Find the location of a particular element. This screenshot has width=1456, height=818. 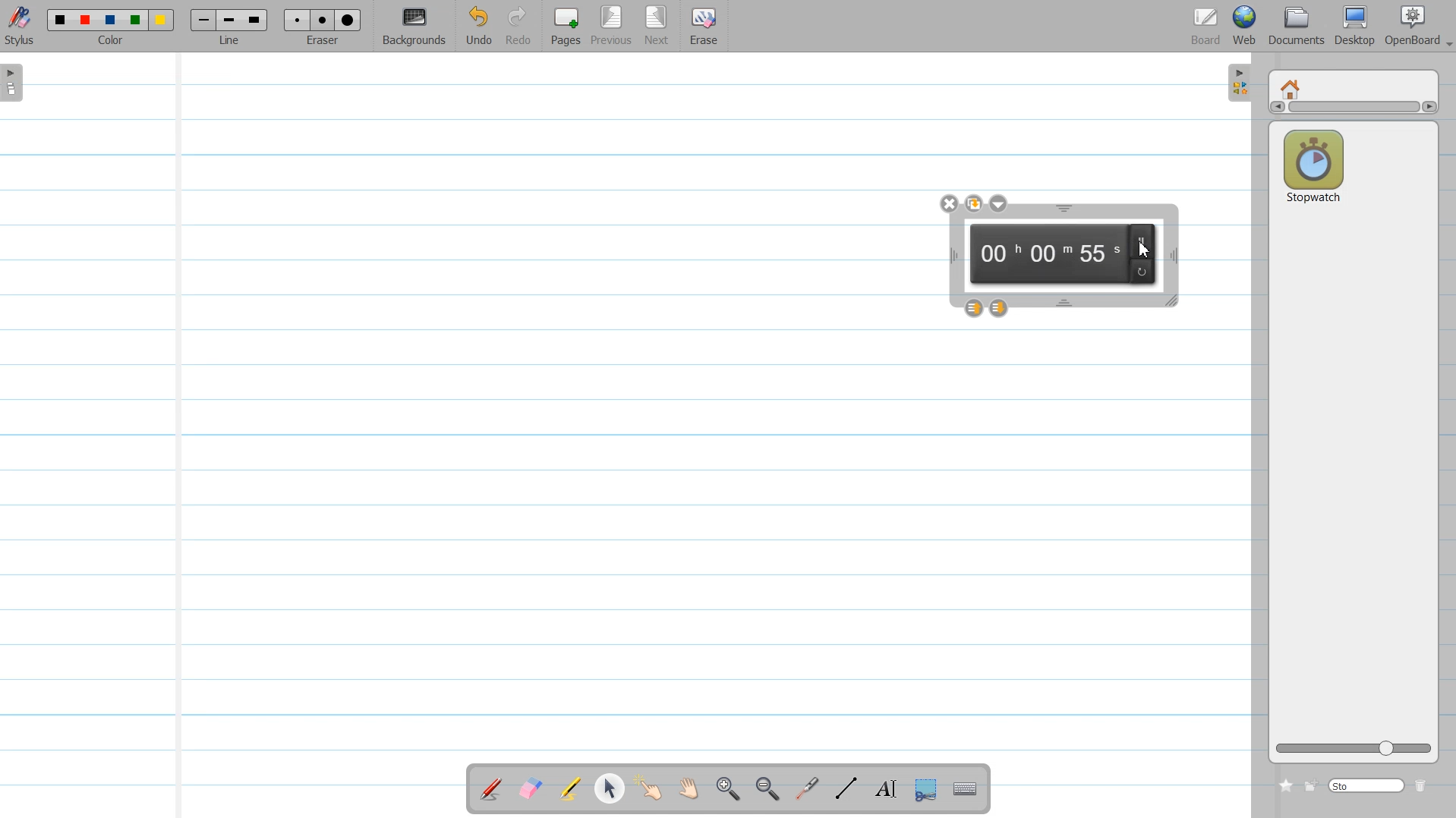

Drop down box is located at coordinates (1447, 38).